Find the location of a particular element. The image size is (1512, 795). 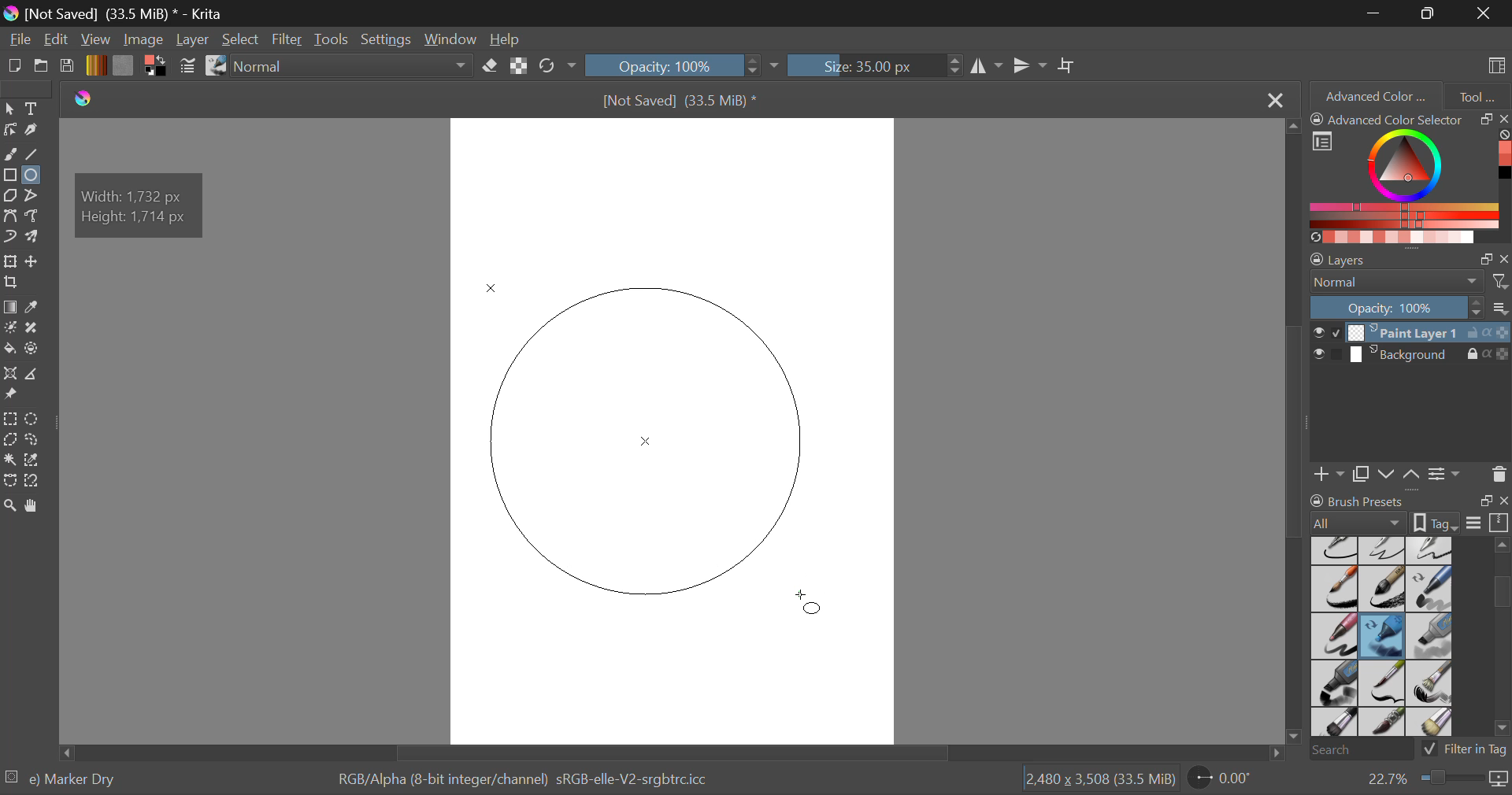

Gradient is located at coordinates (95, 65).